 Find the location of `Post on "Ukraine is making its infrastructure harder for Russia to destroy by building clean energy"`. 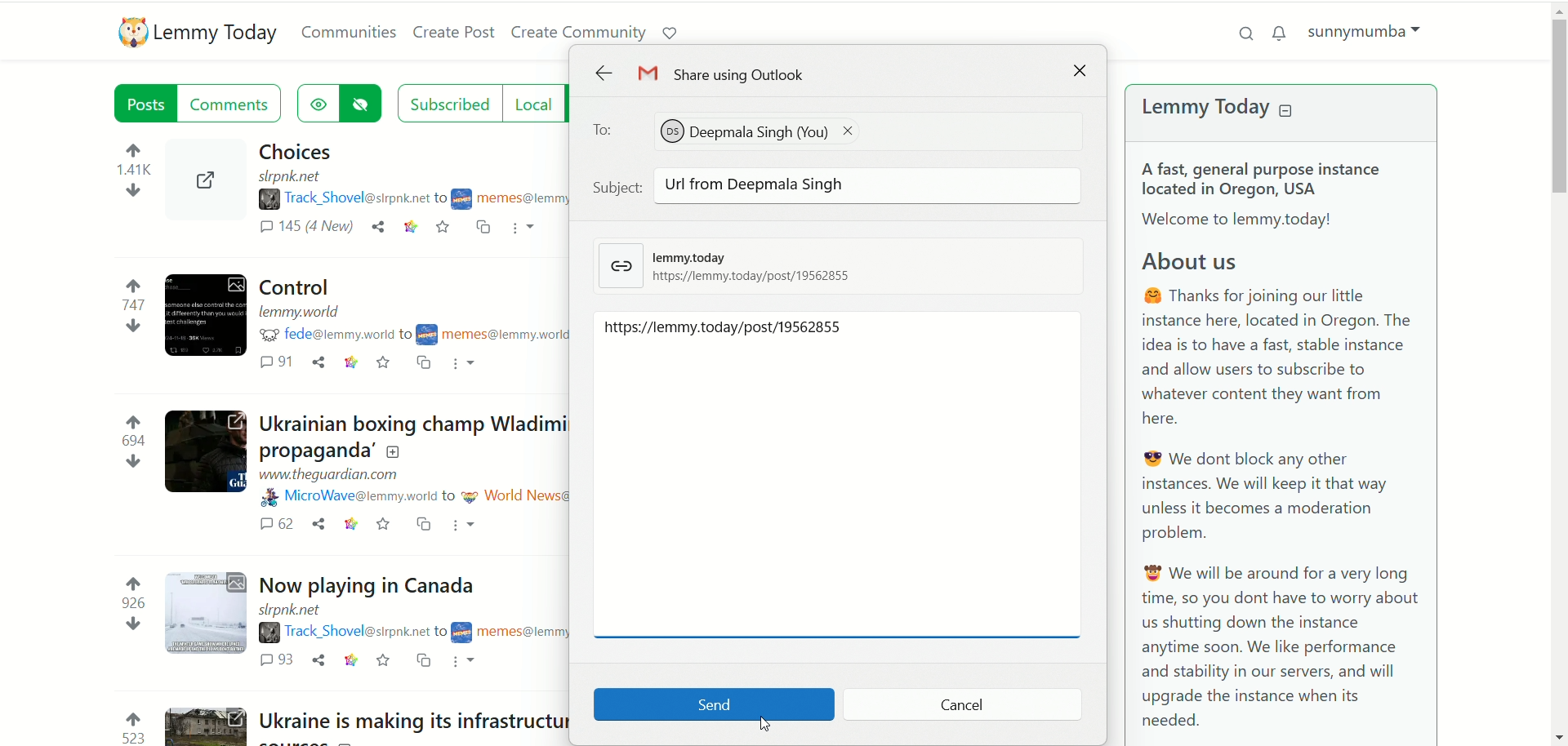

Post on "Ukraine is making its infrastructure harder for Russia to destroy by building clean energy" is located at coordinates (414, 719).